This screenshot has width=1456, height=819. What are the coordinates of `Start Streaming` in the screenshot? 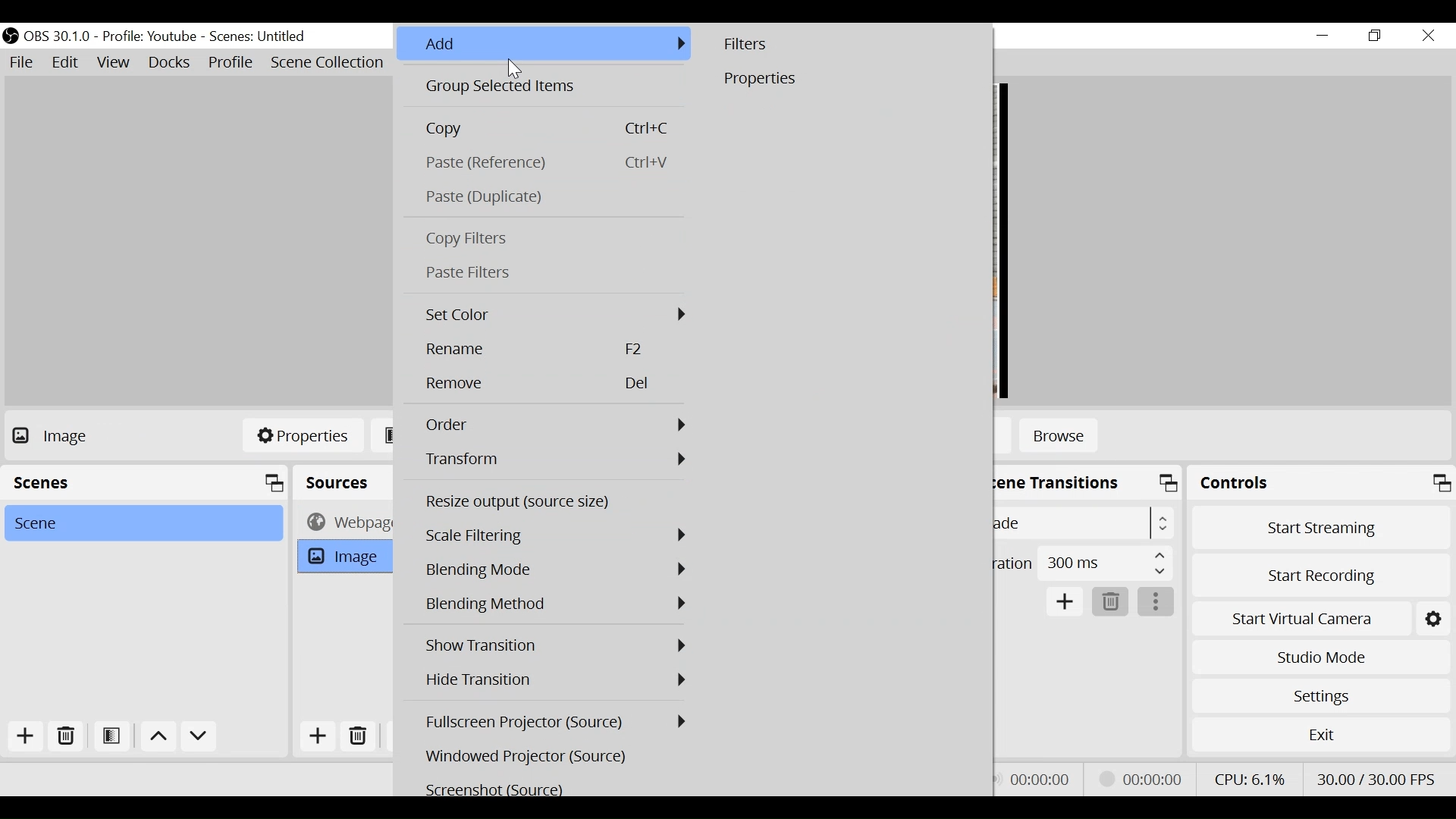 It's located at (1321, 528).